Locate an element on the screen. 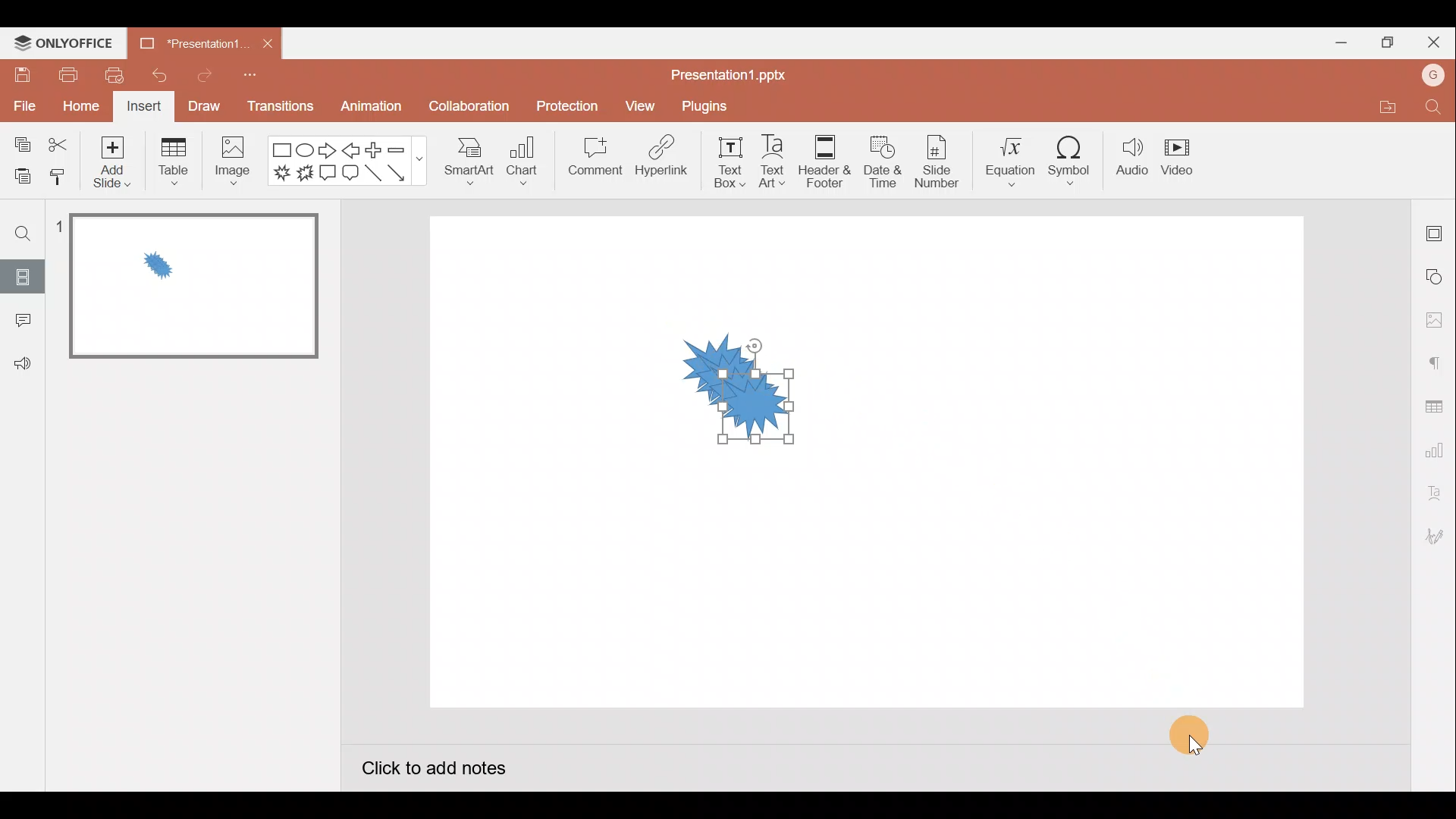 Image resolution: width=1456 pixels, height=819 pixels. Protection is located at coordinates (566, 105).